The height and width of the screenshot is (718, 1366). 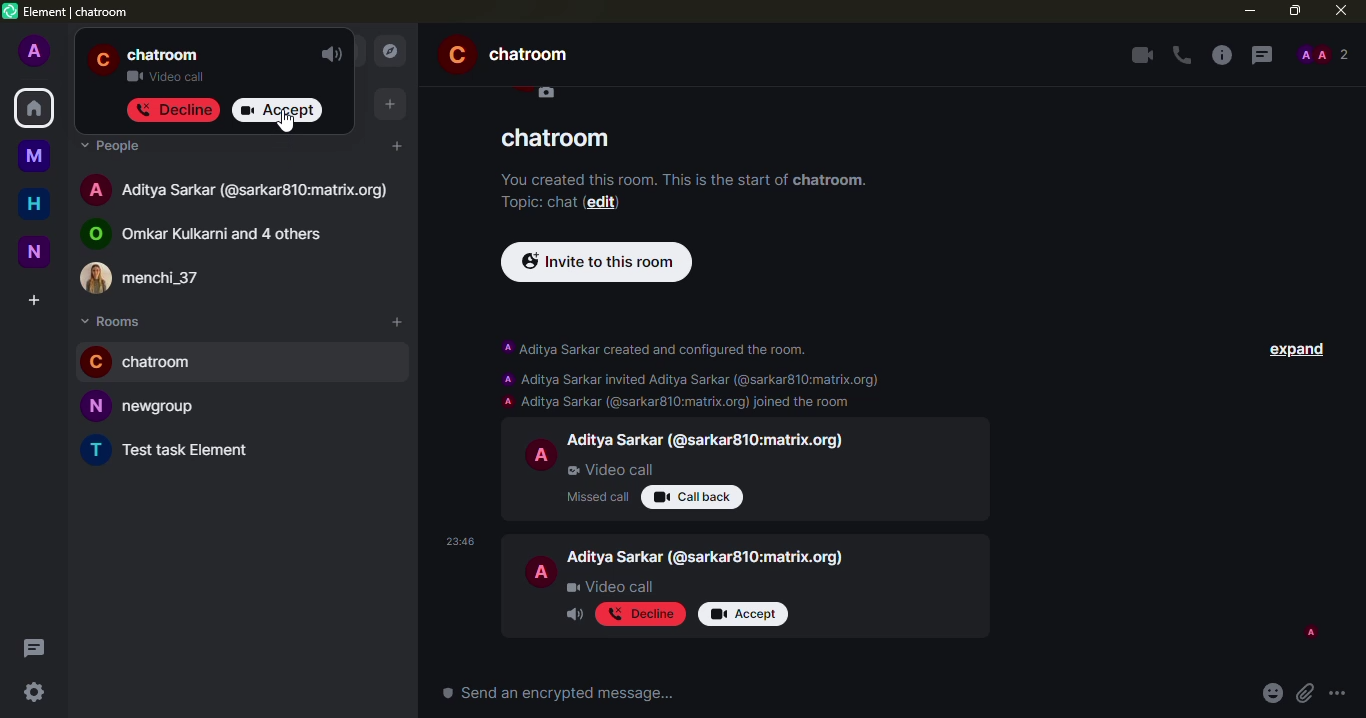 What do you see at coordinates (158, 280) in the screenshot?
I see `menchi_37` at bounding box center [158, 280].